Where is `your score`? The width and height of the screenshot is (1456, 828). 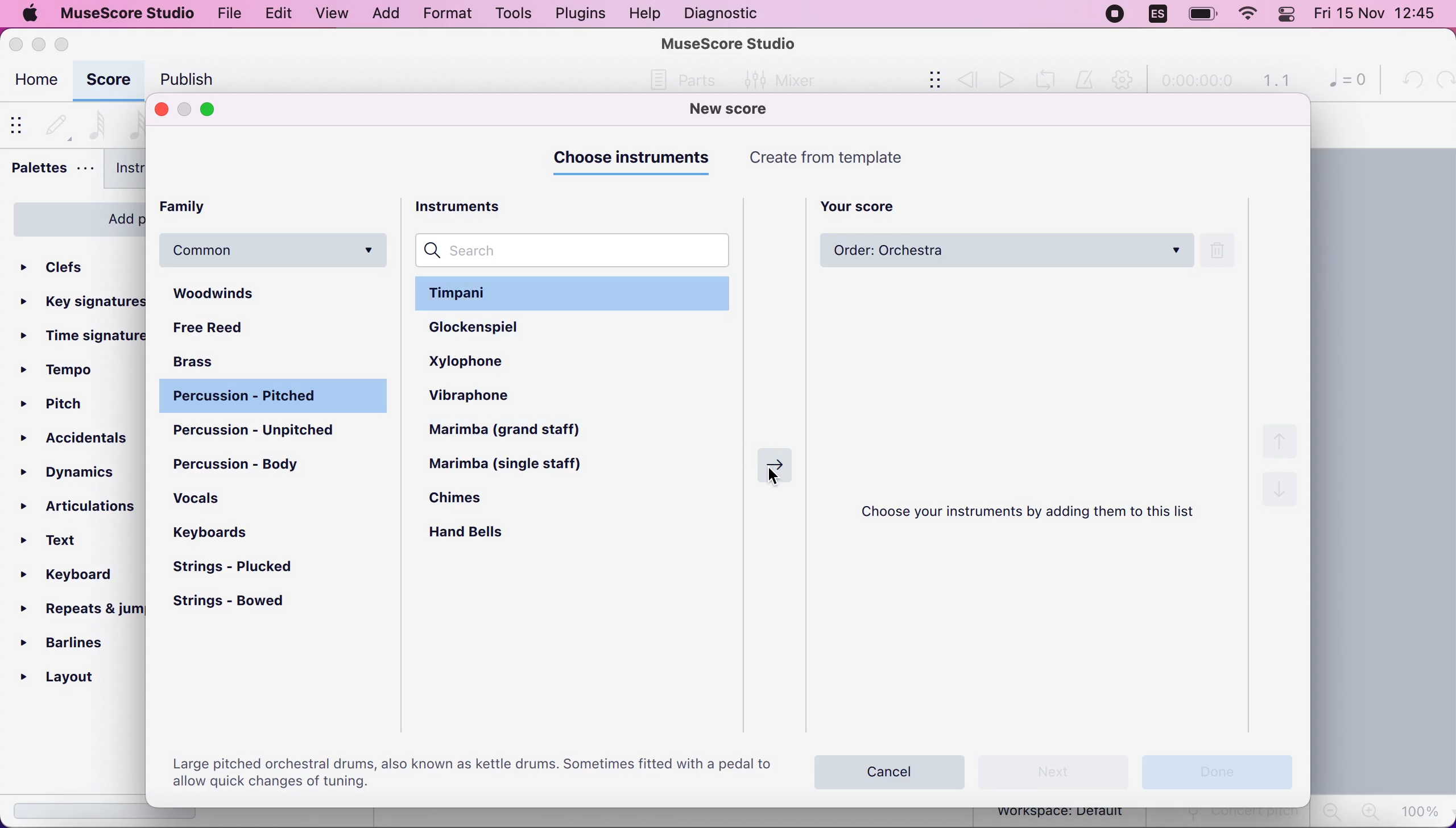
your score is located at coordinates (866, 204).